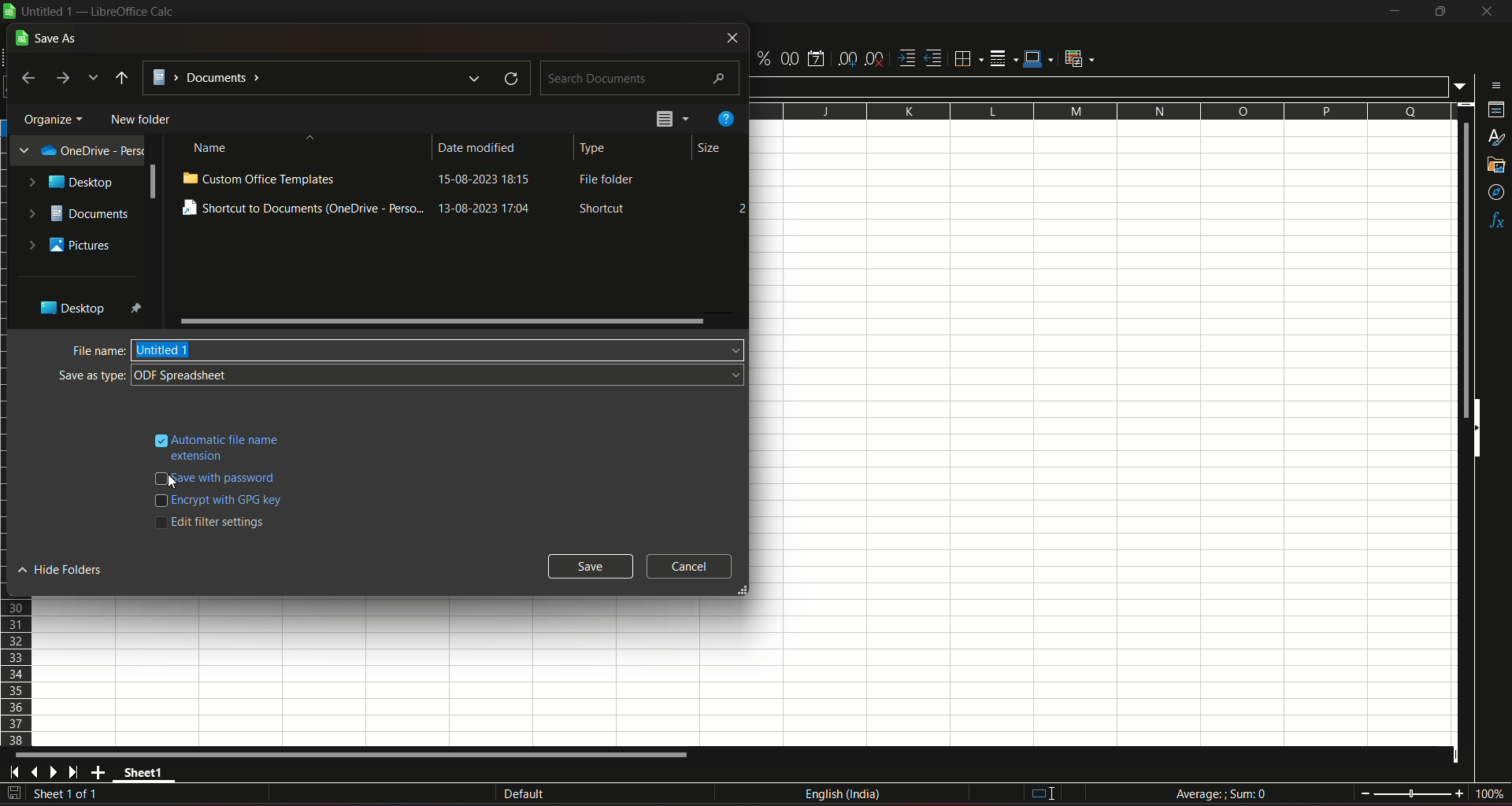 This screenshot has width=1512, height=806. I want to click on checkbox, so click(159, 527).